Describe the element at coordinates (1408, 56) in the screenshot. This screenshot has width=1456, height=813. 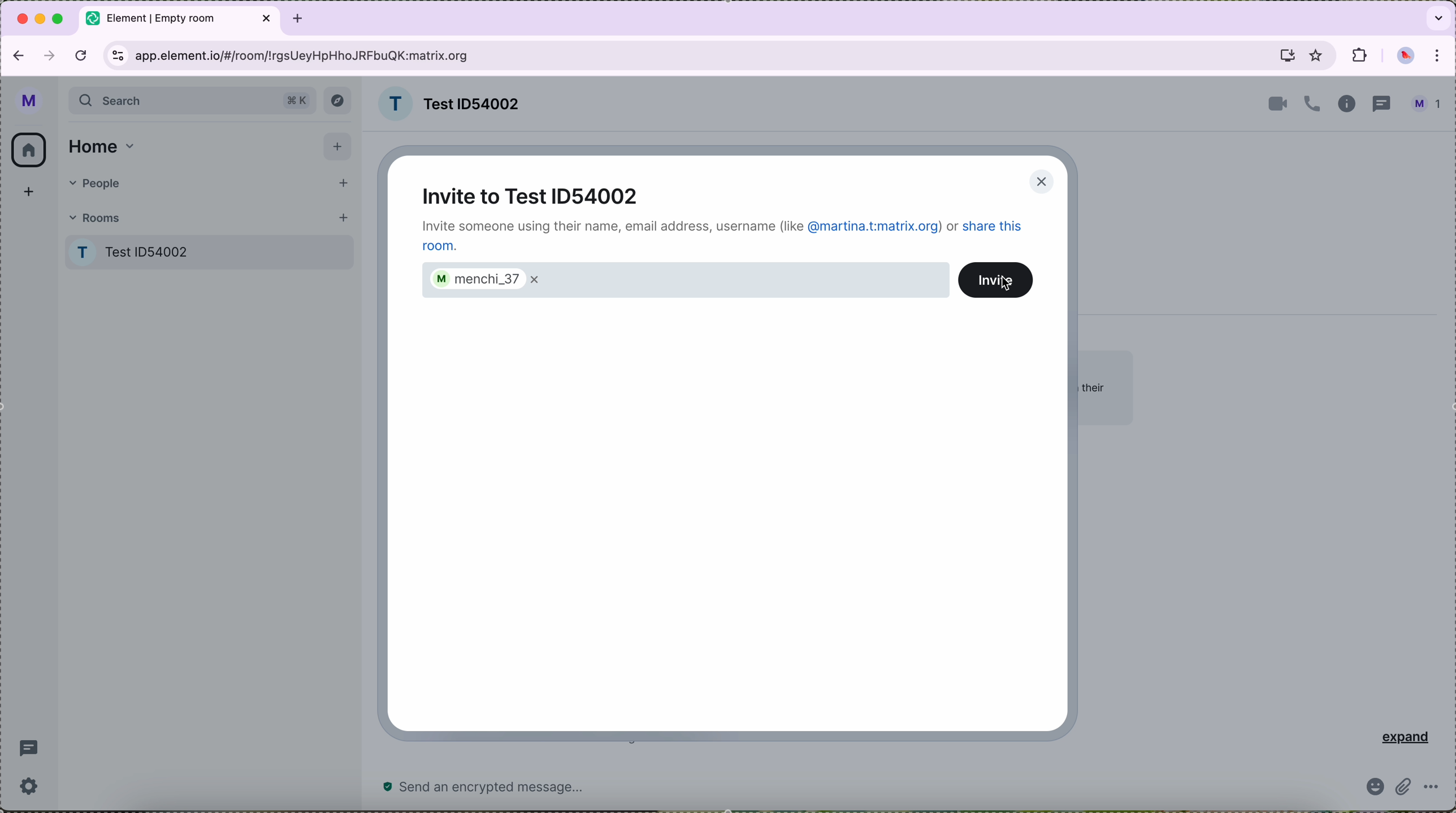
I see `profile picture` at that location.